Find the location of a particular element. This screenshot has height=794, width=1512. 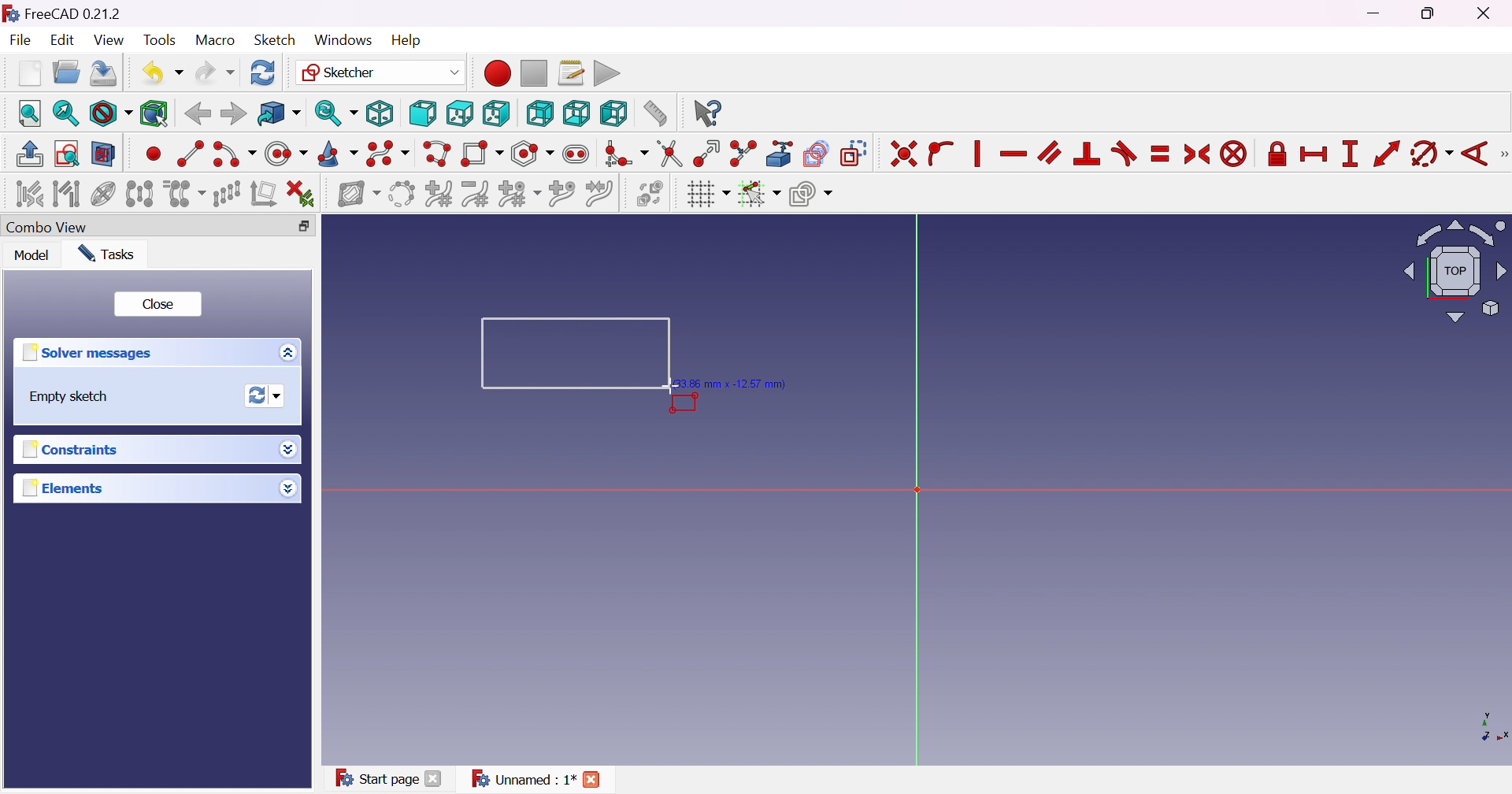

Fit selection... is located at coordinates (66, 113).